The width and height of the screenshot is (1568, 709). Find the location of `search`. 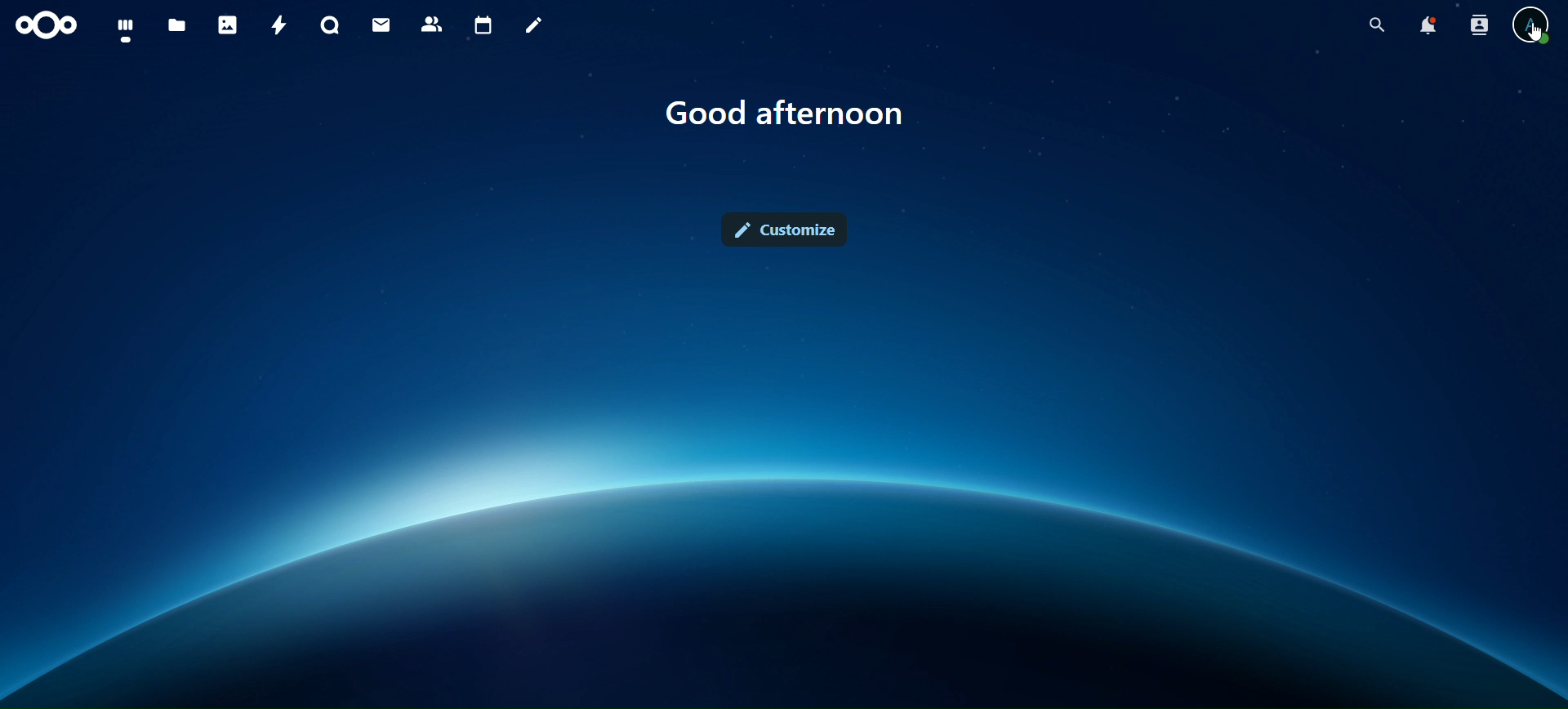

search is located at coordinates (1379, 25).